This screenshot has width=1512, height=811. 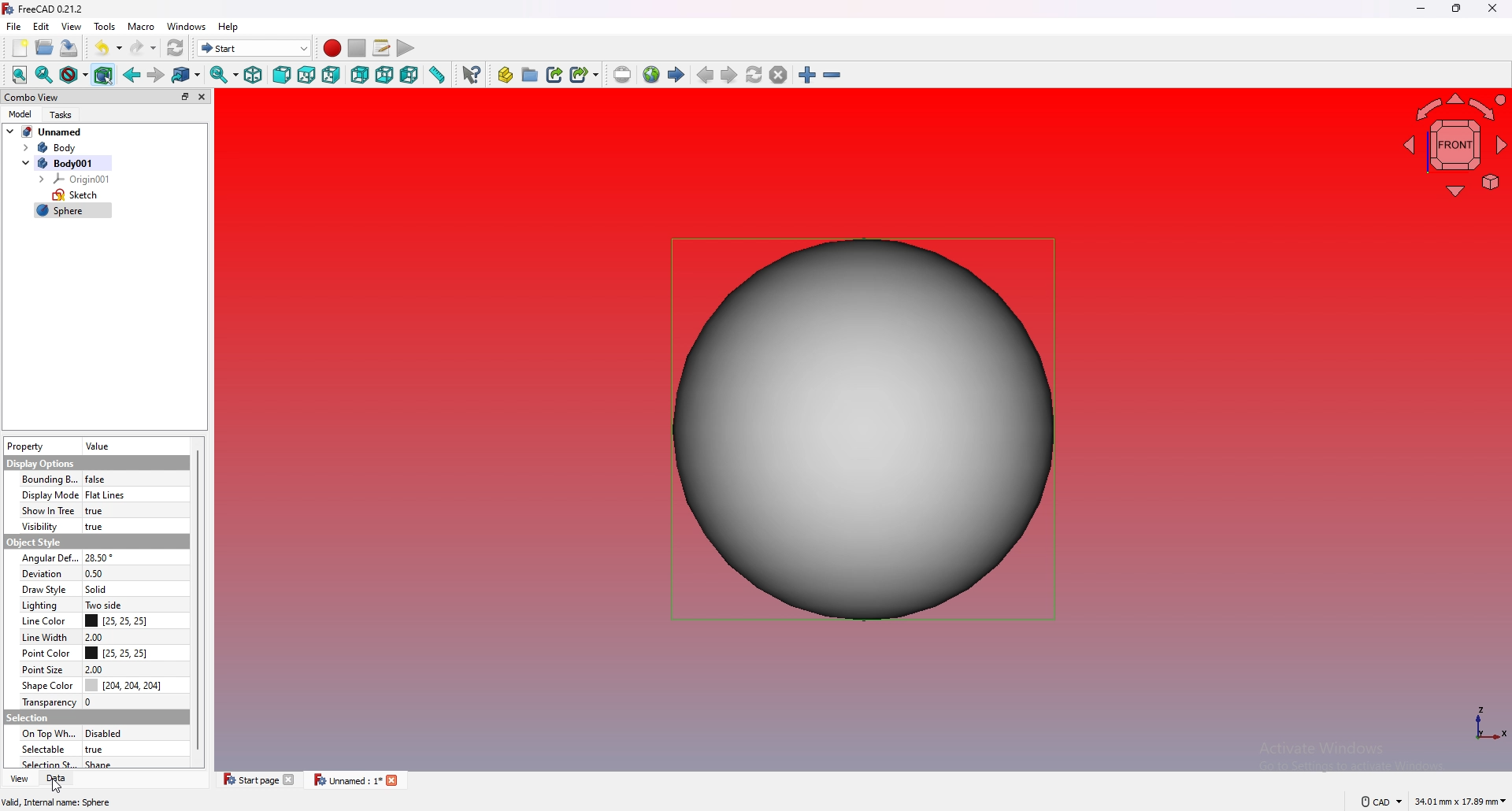 What do you see at coordinates (863, 430) in the screenshot?
I see `sphere` at bounding box center [863, 430].